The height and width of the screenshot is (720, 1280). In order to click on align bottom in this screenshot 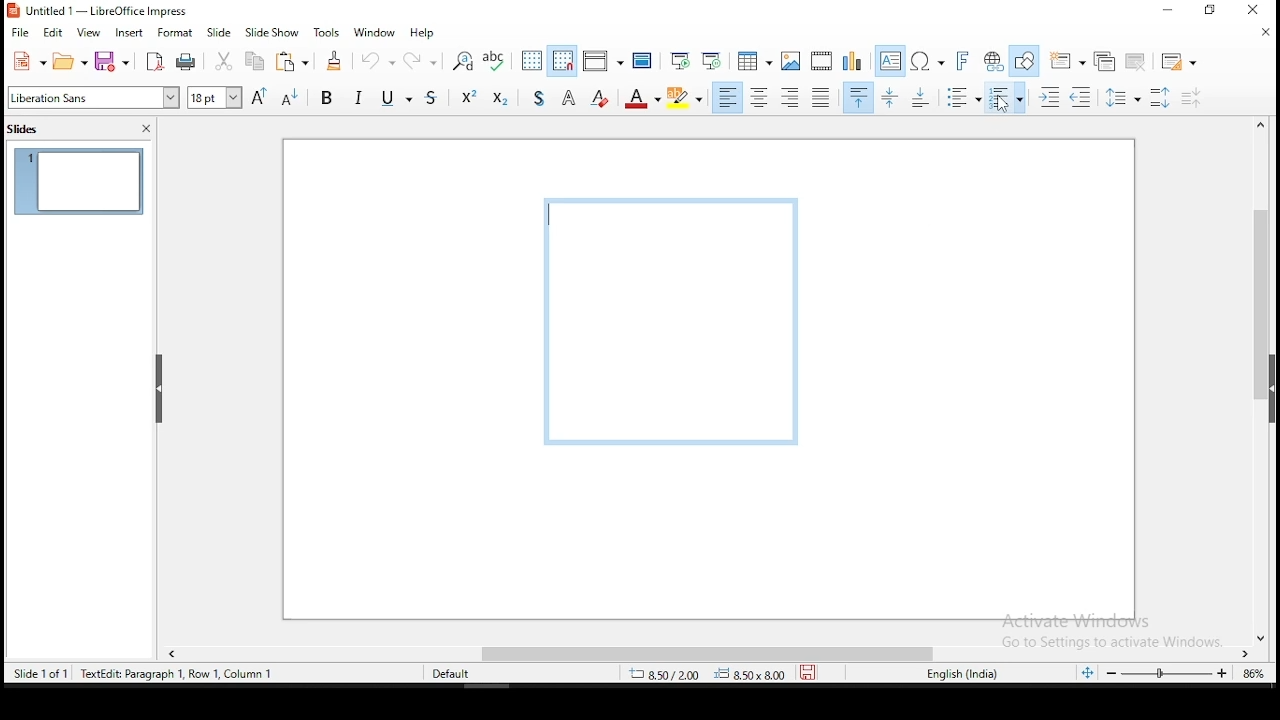, I will do `click(918, 99)`.